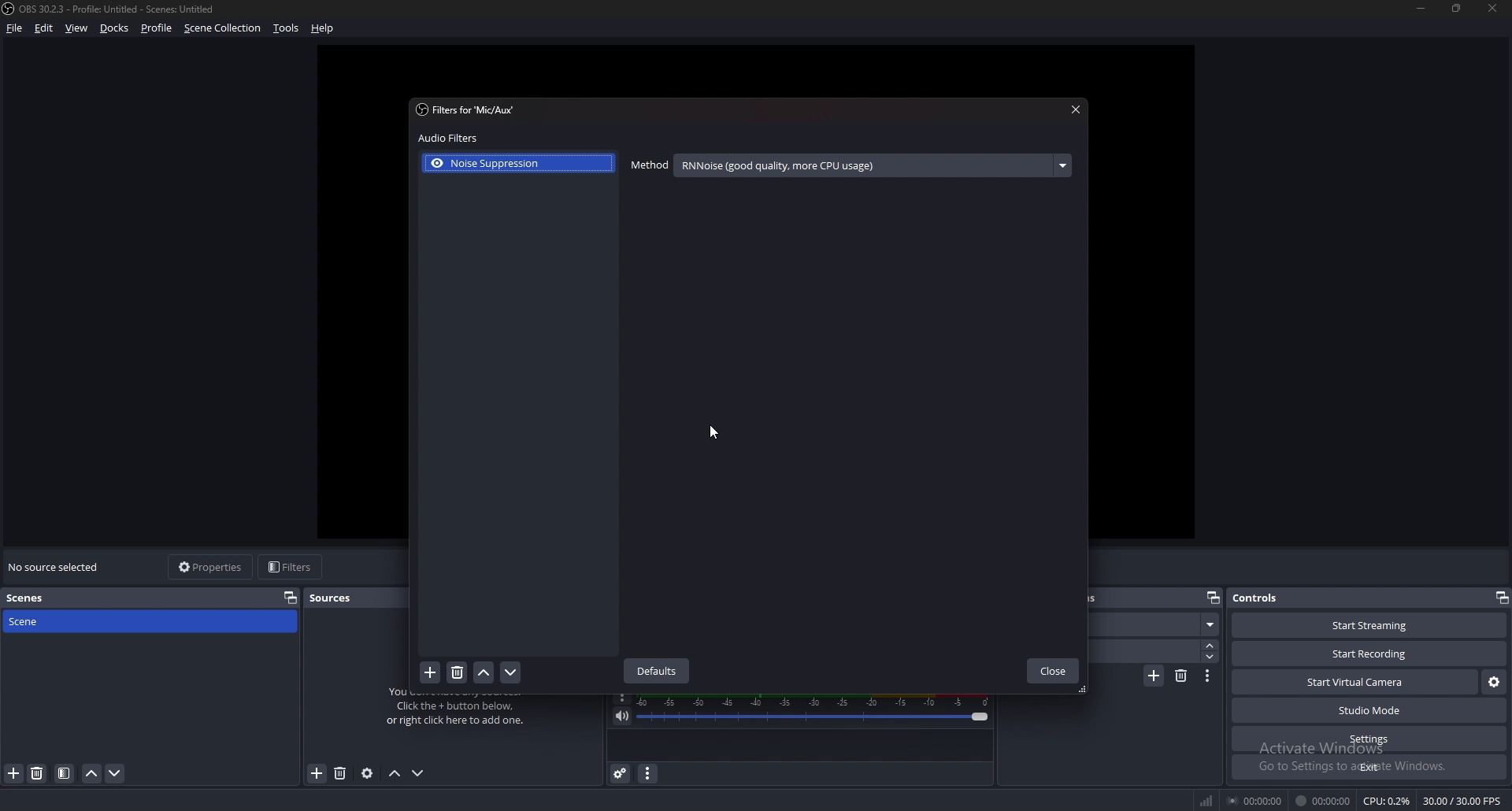 This screenshot has height=811, width=1512. What do you see at coordinates (291, 598) in the screenshot?
I see `properties` at bounding box center [291, 598].